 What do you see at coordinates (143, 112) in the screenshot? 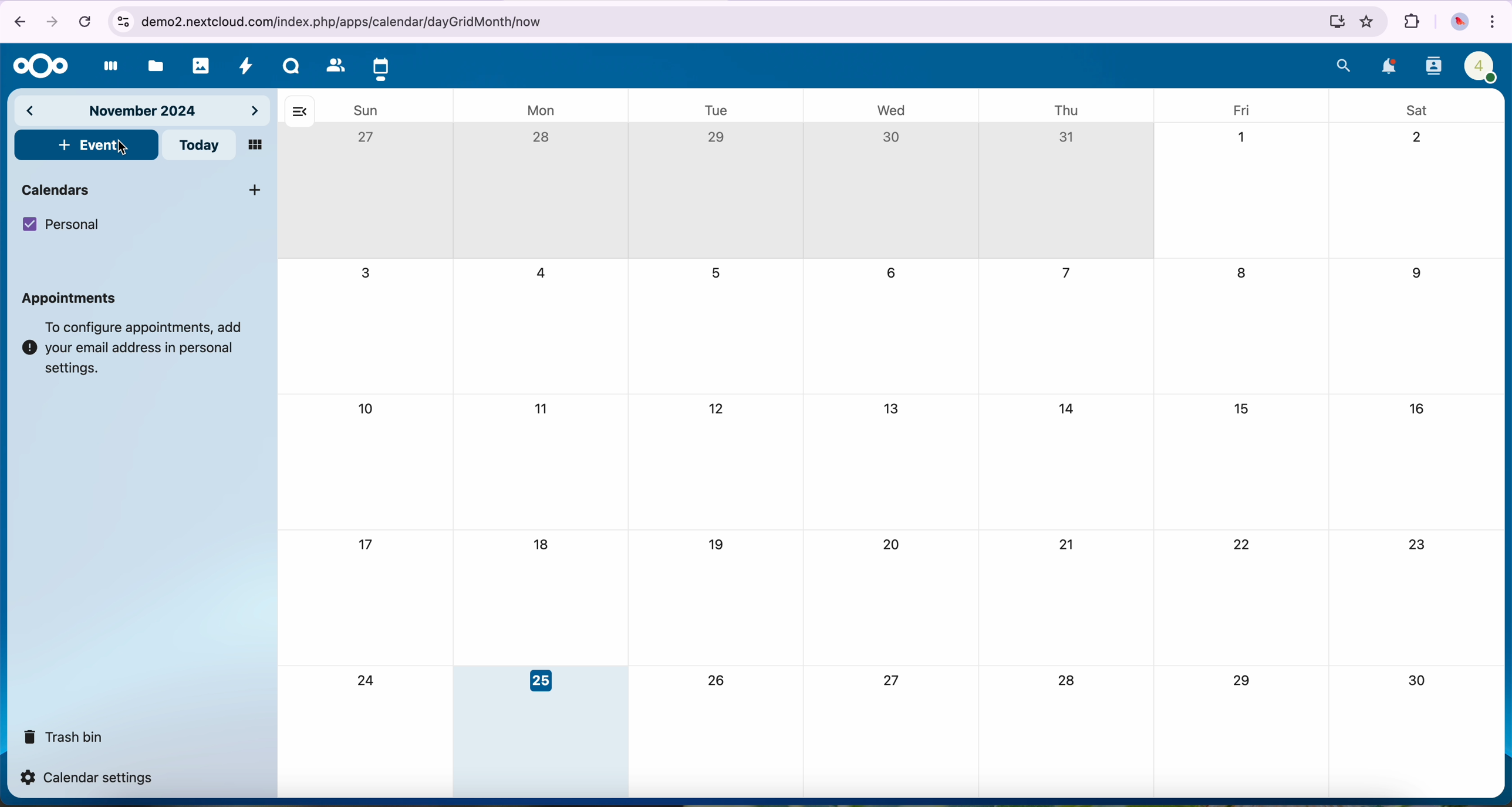
I see `november 2024` at bounding box center [143, 112].